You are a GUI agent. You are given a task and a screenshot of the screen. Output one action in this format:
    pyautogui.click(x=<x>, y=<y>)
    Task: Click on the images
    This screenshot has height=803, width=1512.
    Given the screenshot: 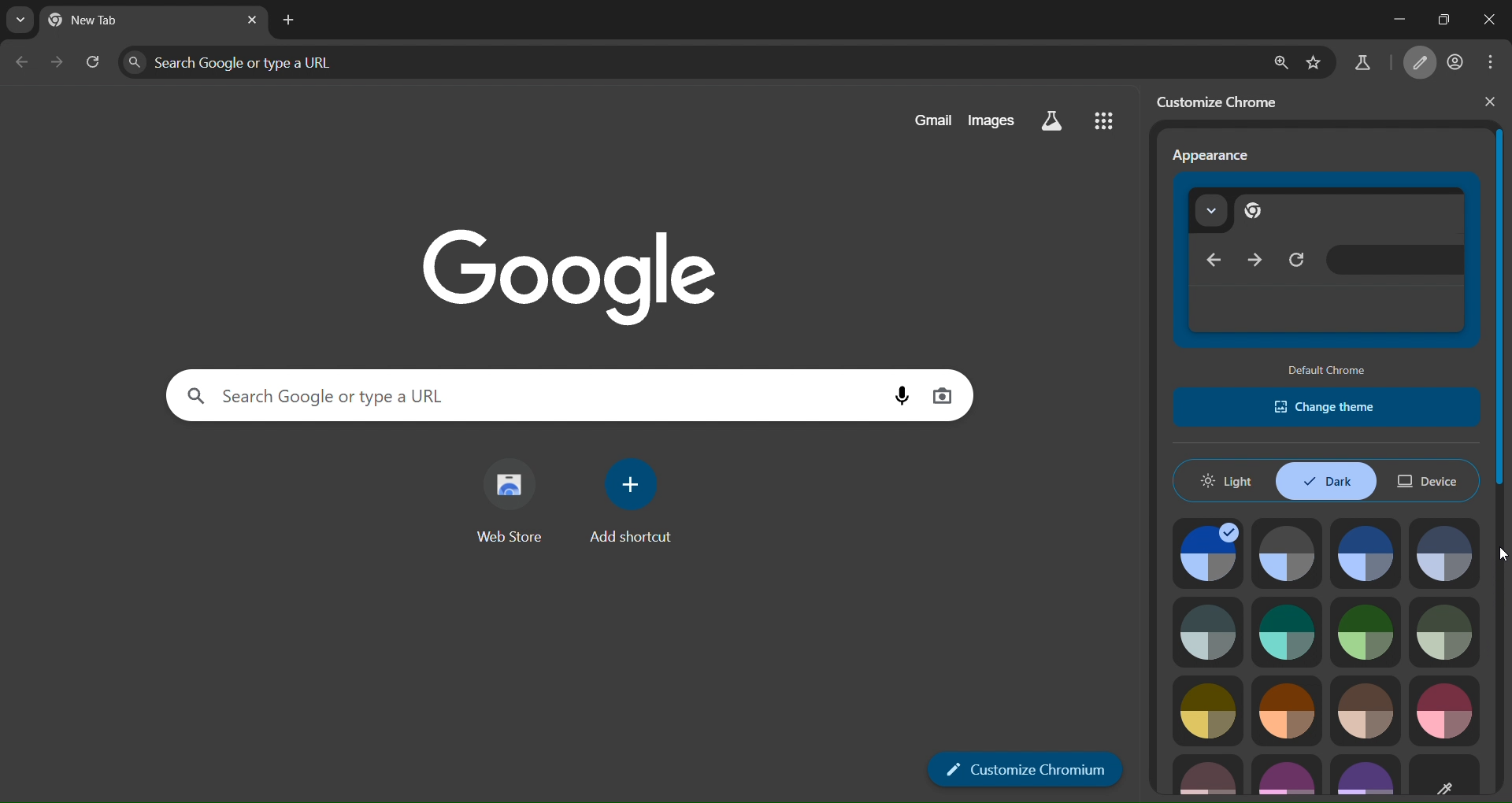 What is the action you would take?
    pyautogui.click(x=991, y=120)
    